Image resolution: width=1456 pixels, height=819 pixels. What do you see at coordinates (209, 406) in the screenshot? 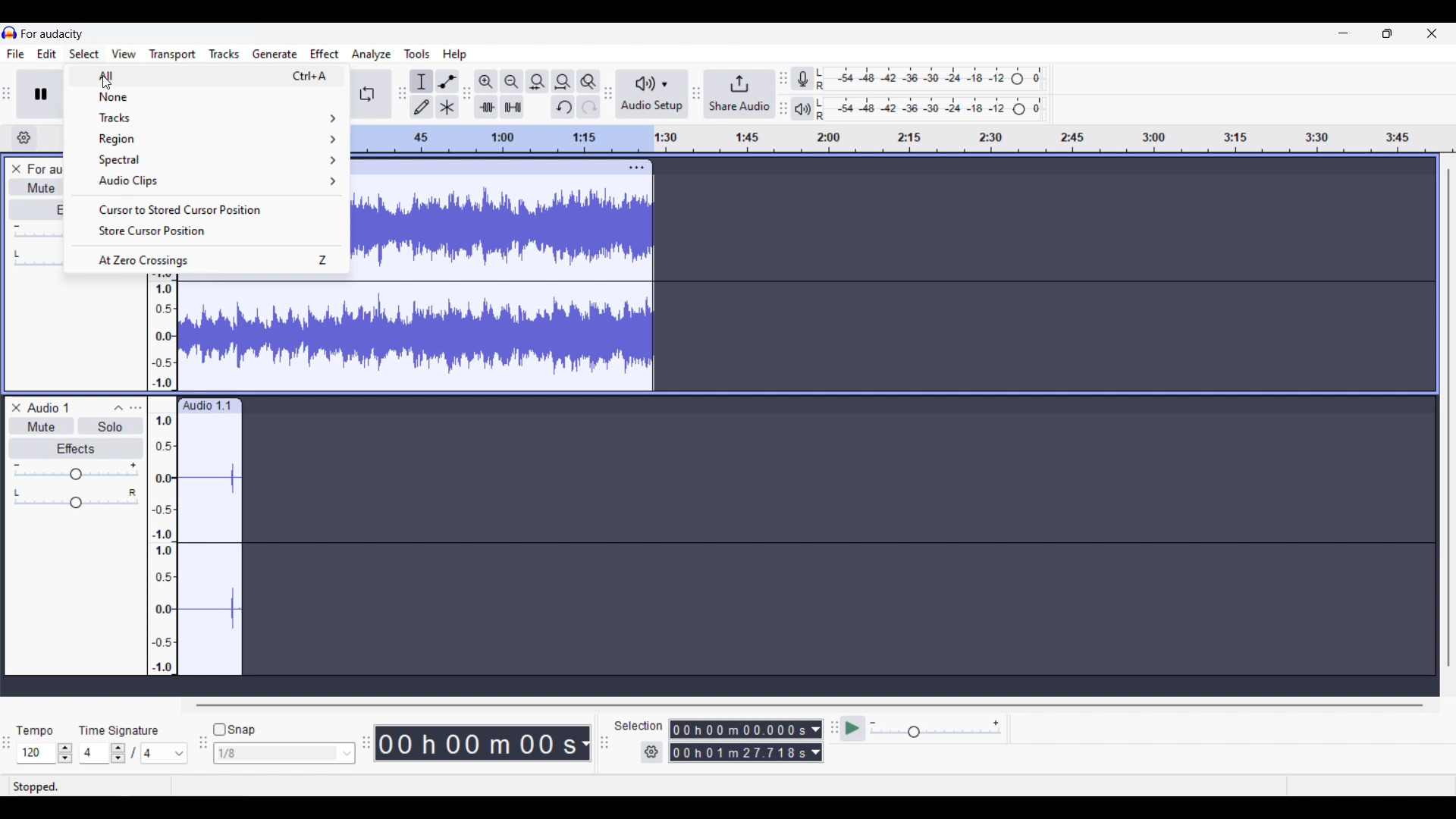
I see `audio 1.1` at bounding box center [209, 406].